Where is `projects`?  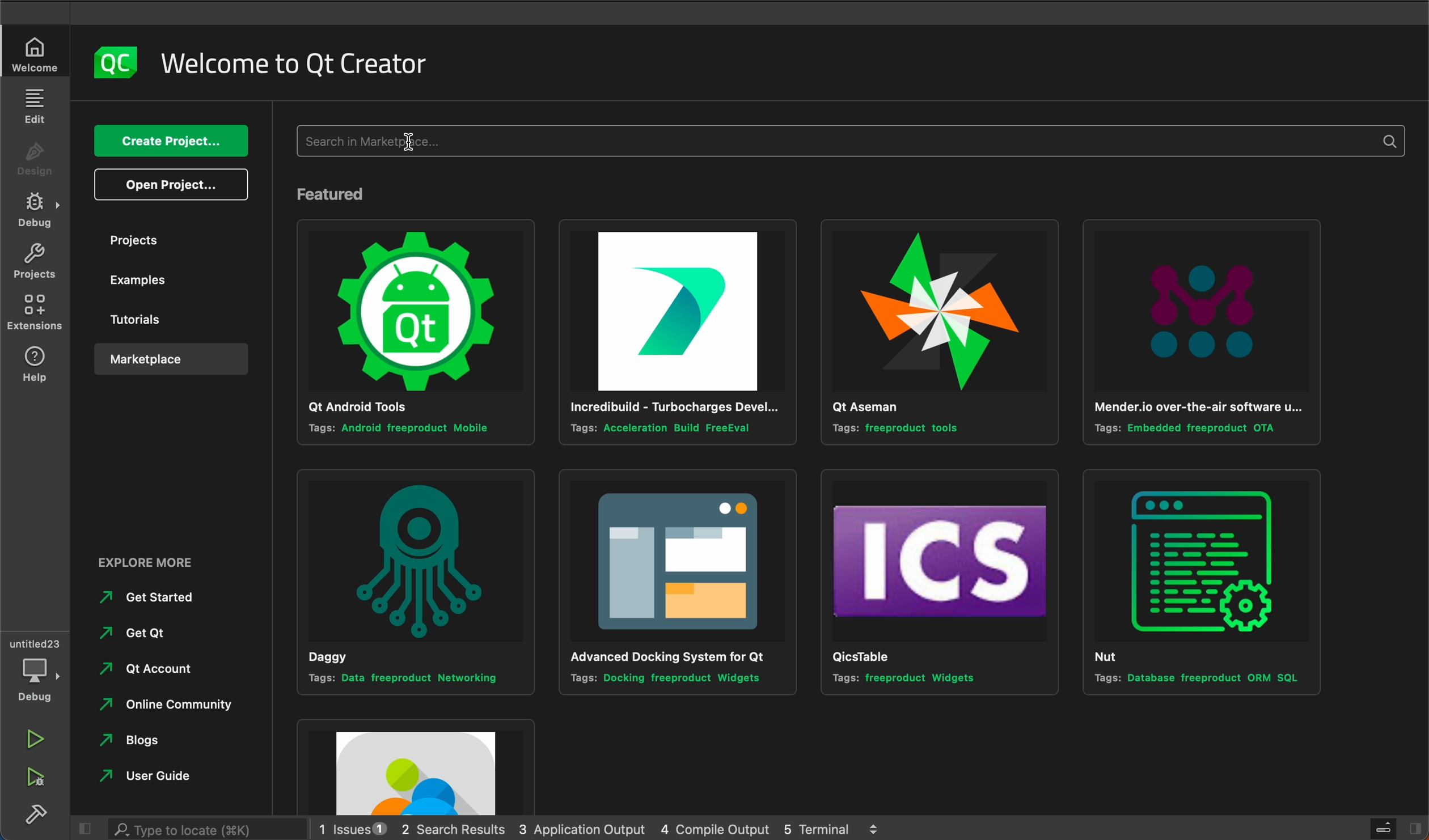 projects is located at coordinates (173, 240).